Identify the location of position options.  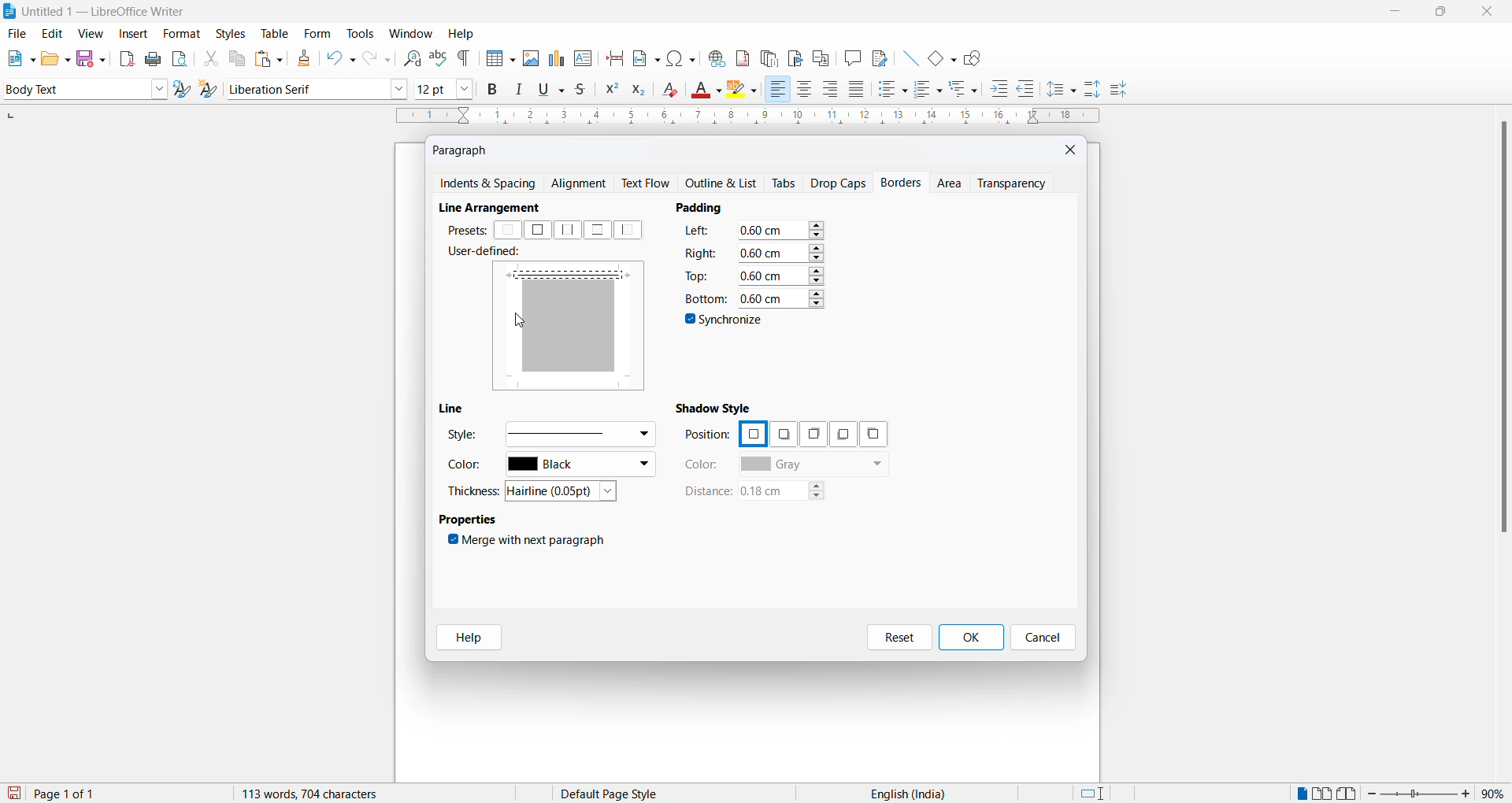
(752, 432).